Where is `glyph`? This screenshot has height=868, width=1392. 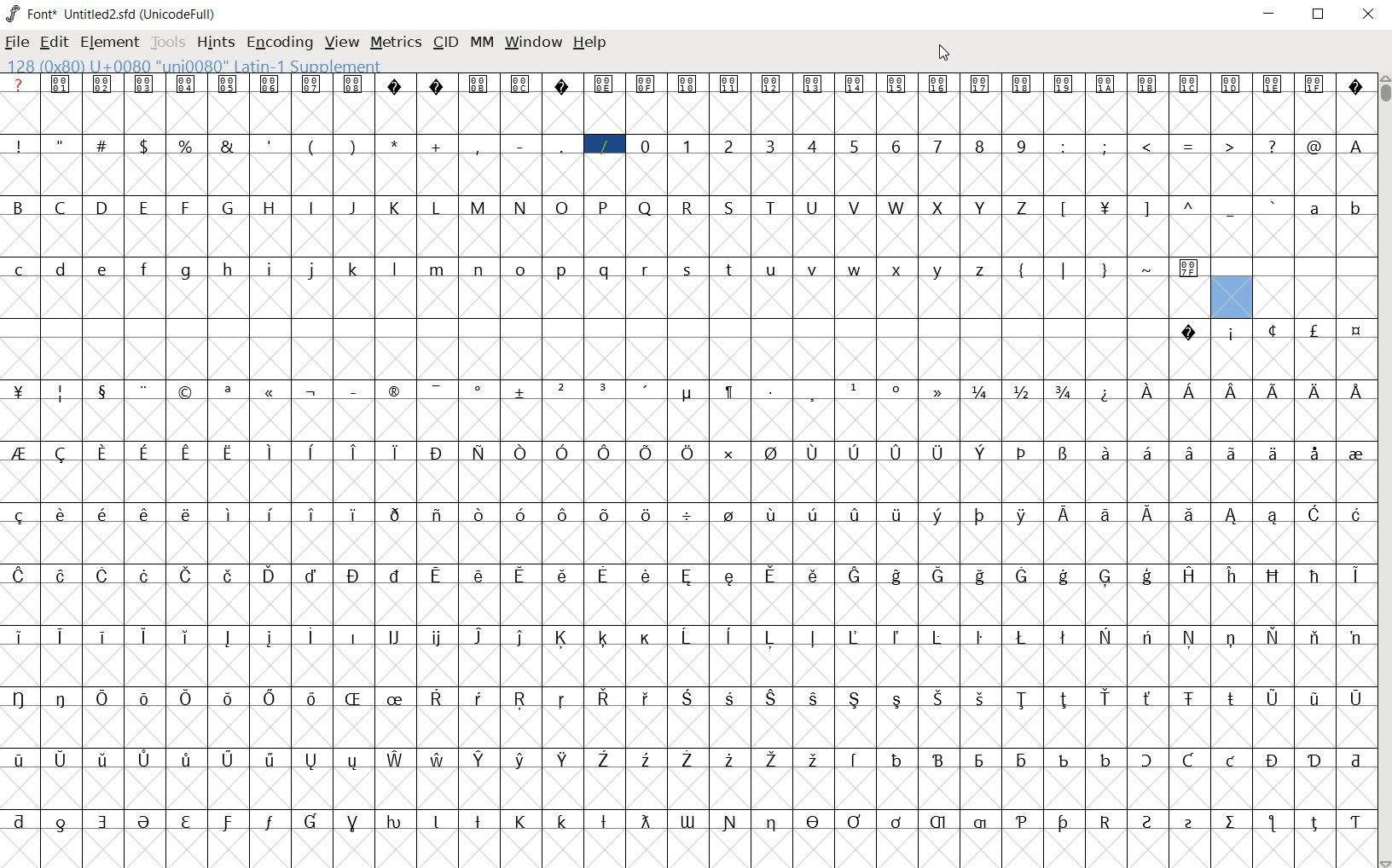
glyph is located at coordinates (1147, 698).